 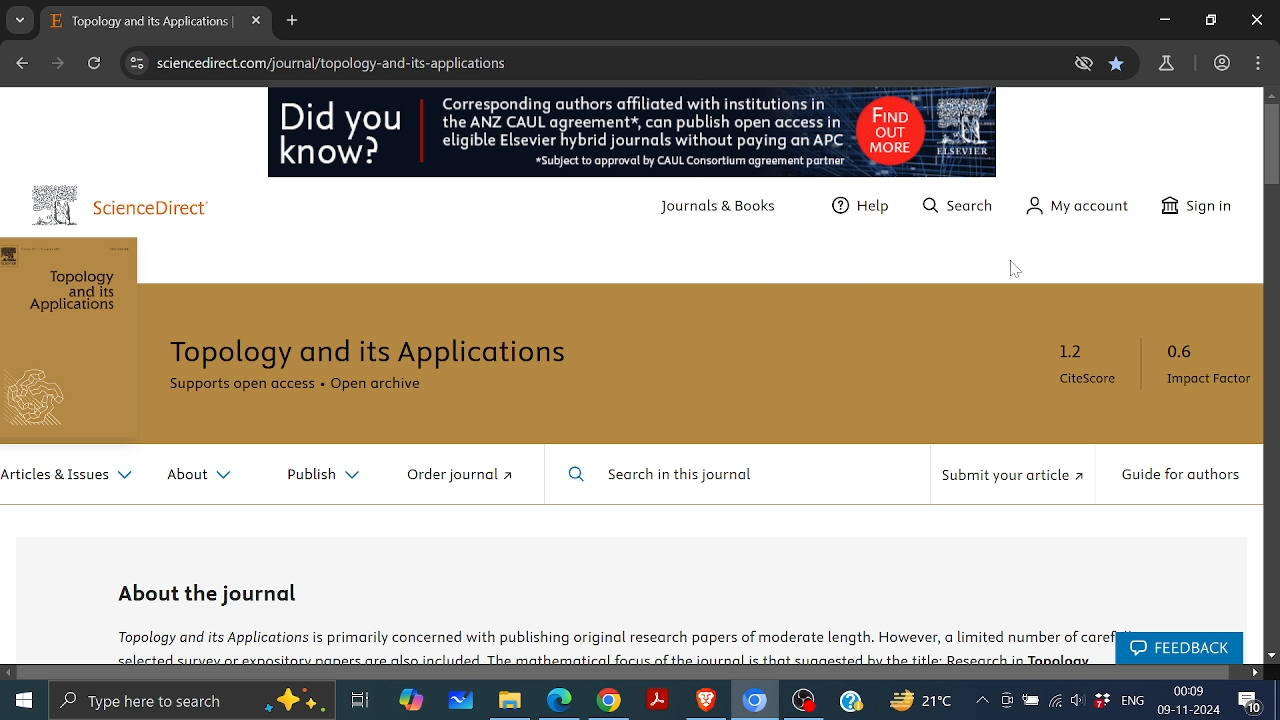 I want to click on Topology and Applications, so click(x=76, y=294).